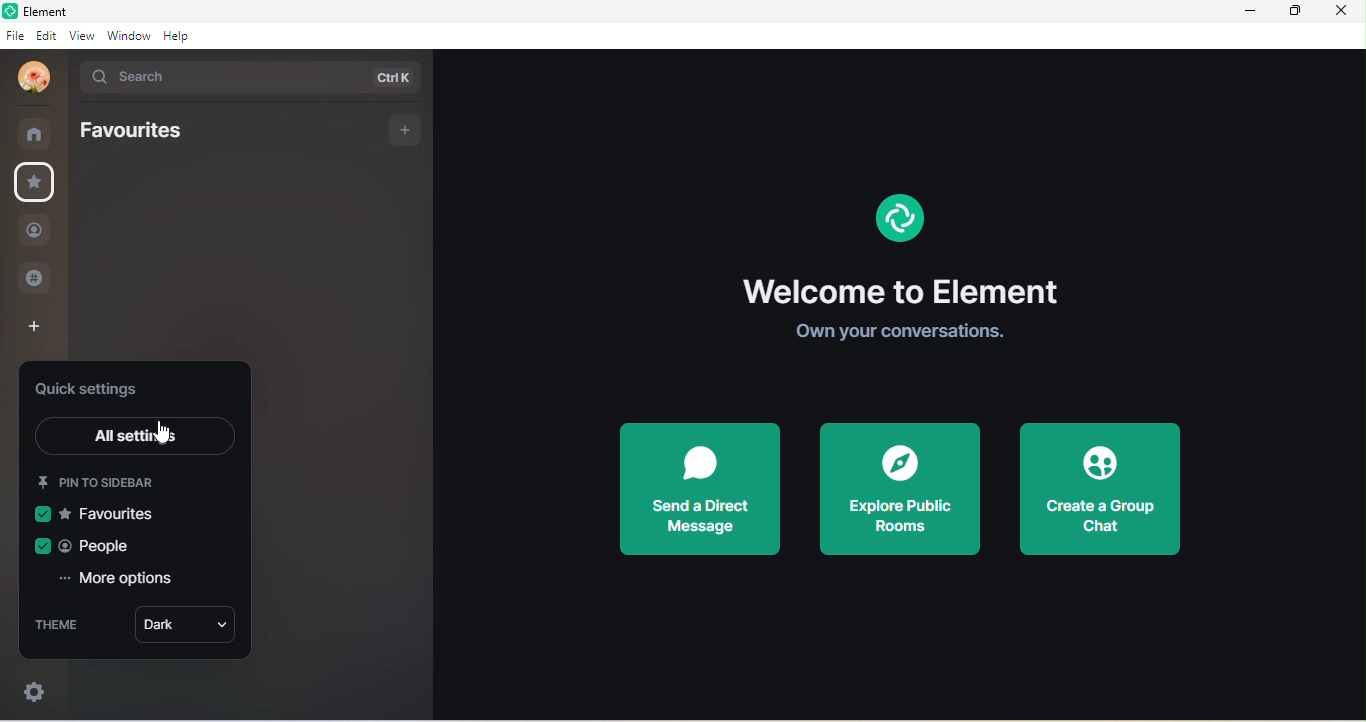 Image resolution: width=1366 pixels, height=722 pixels. What do you see at coordinates (103, 484) in the screenshot?
I see `pin to sidebar` at bounding box center [103, 484].